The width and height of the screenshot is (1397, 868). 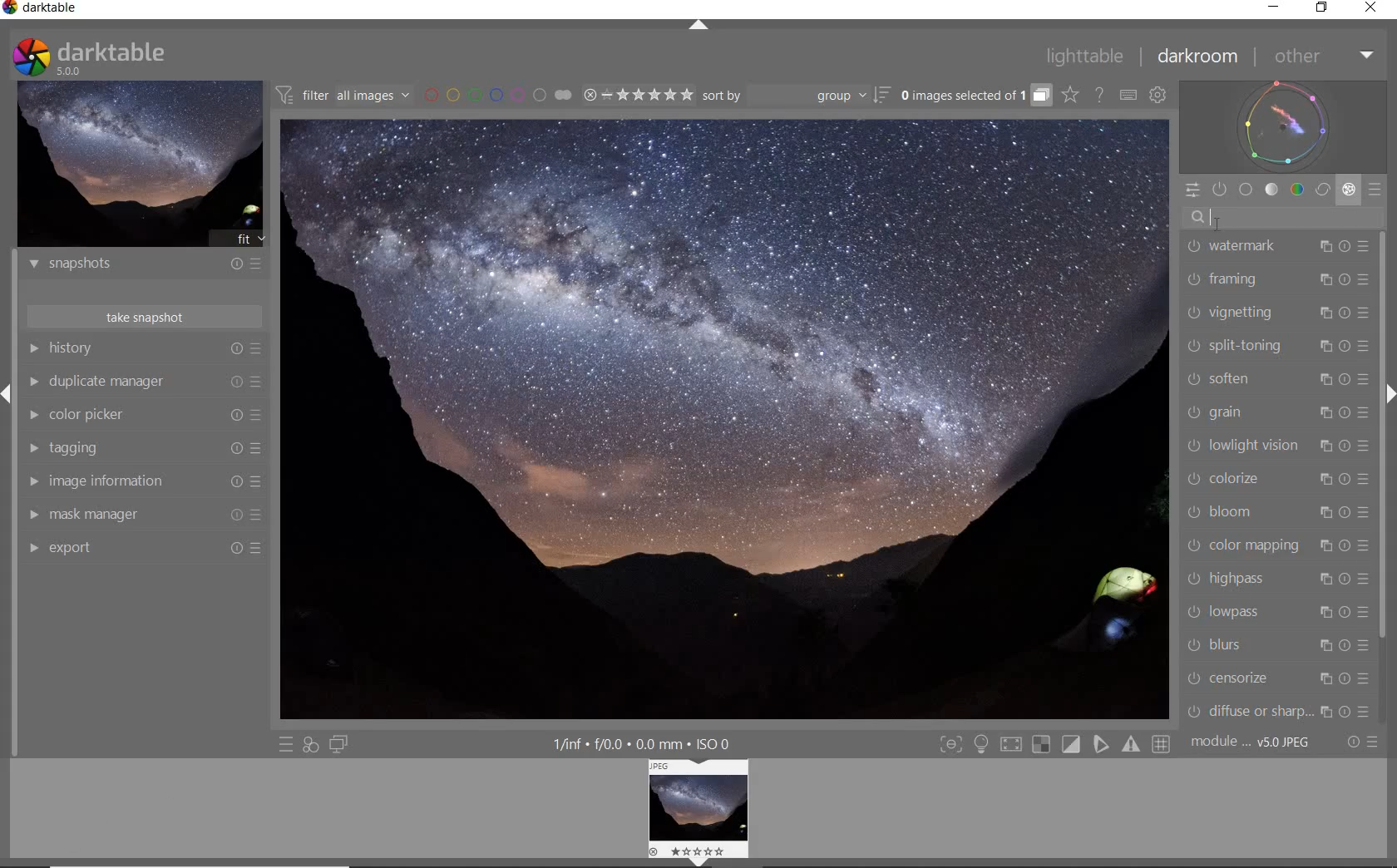 I want to click on color picker, so click(x=96, y=414).